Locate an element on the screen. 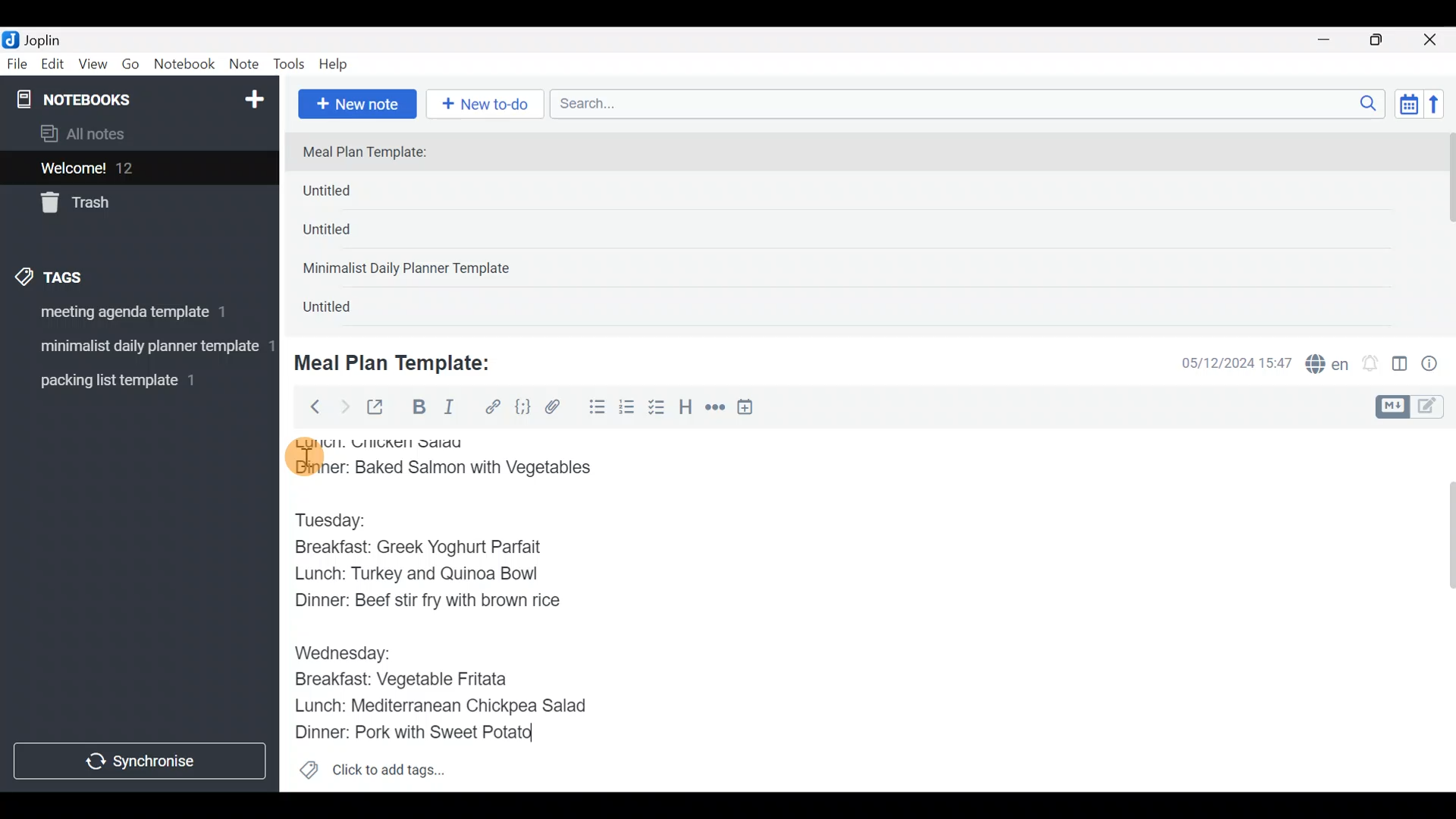  Joplin is located at coordinates (52, 38).